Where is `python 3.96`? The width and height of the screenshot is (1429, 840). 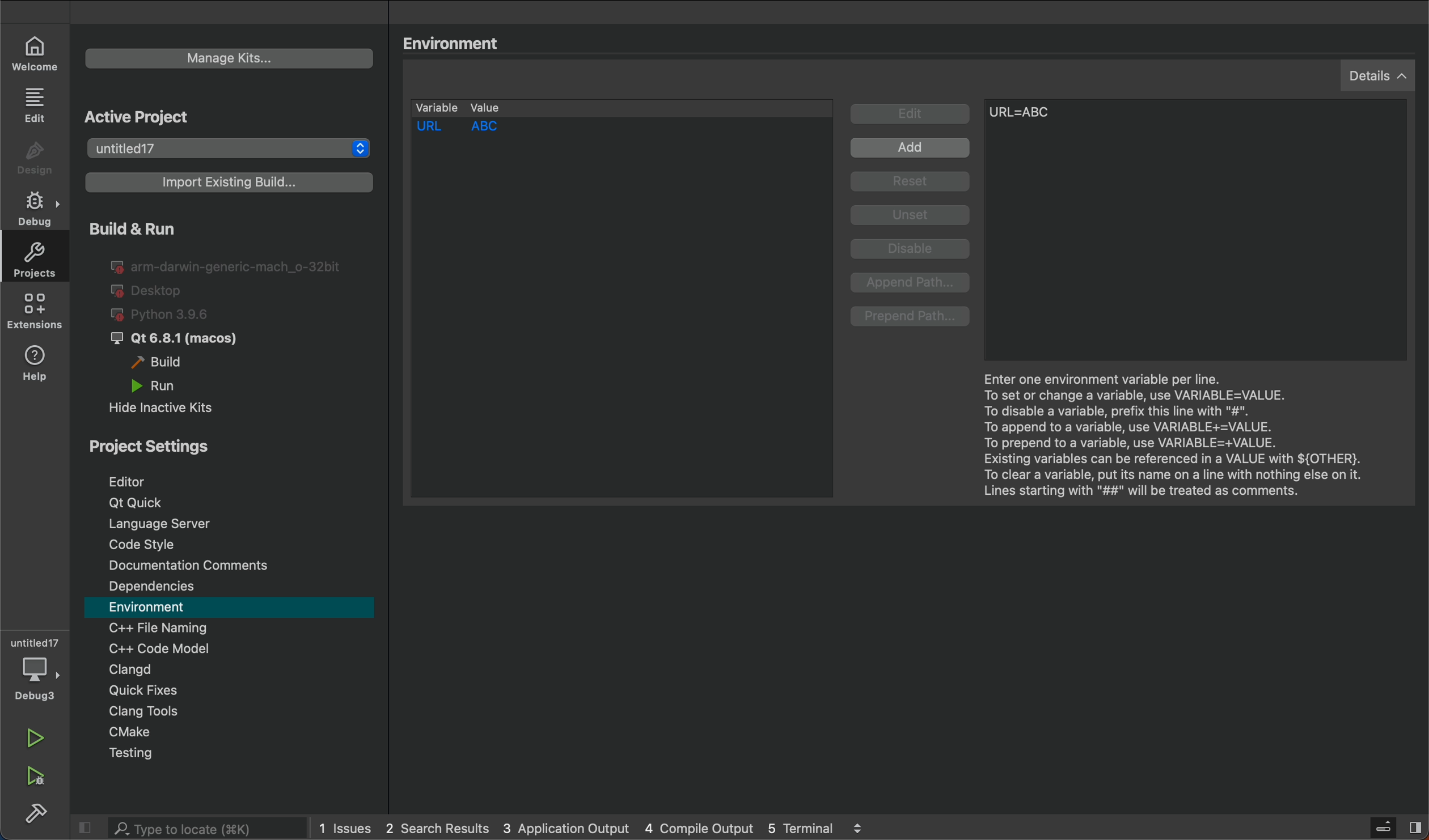 python 3.96 is located at coordinates (175, 315).